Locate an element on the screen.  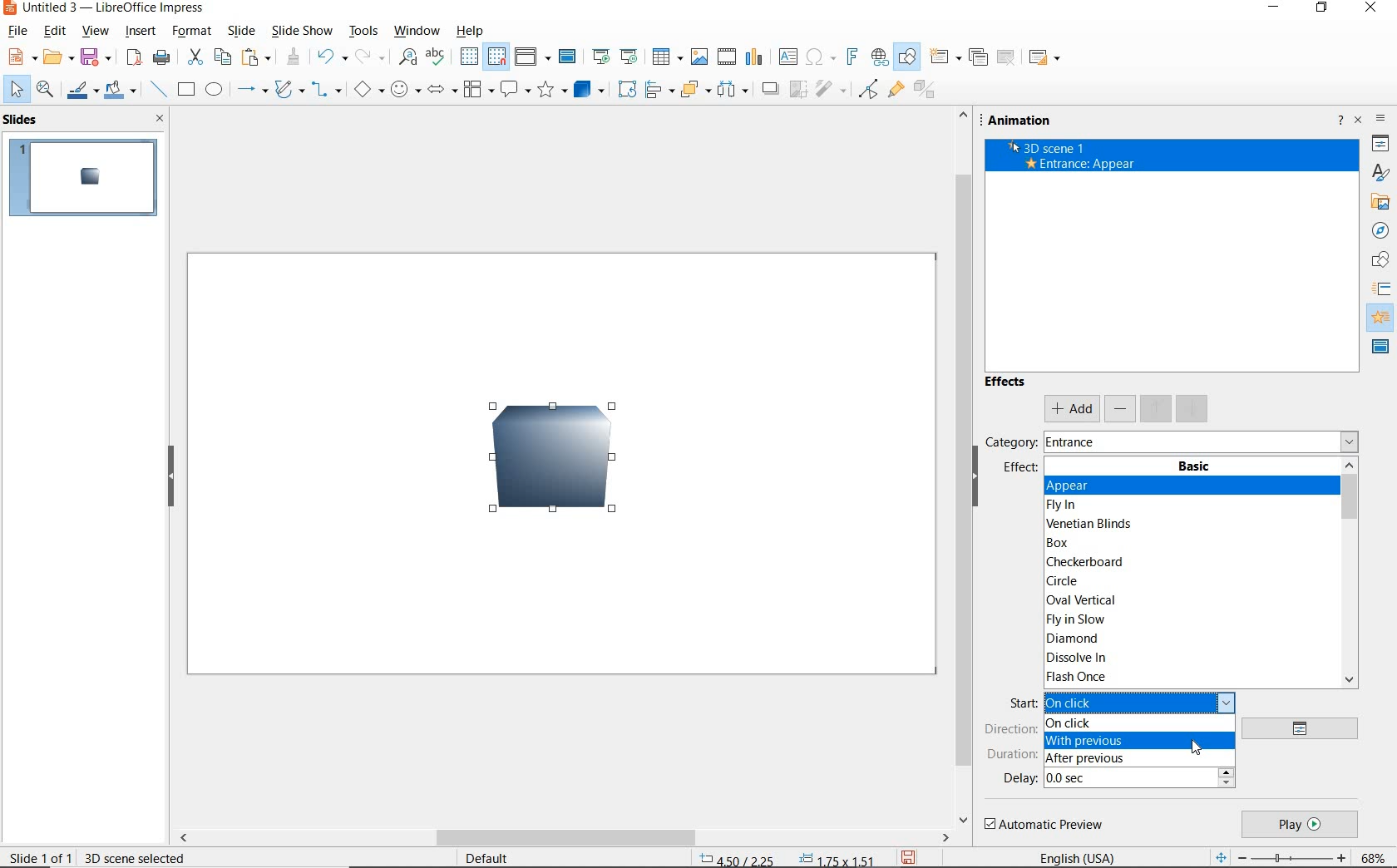
help about sidebar deck is located at coordinates (1338, 122).